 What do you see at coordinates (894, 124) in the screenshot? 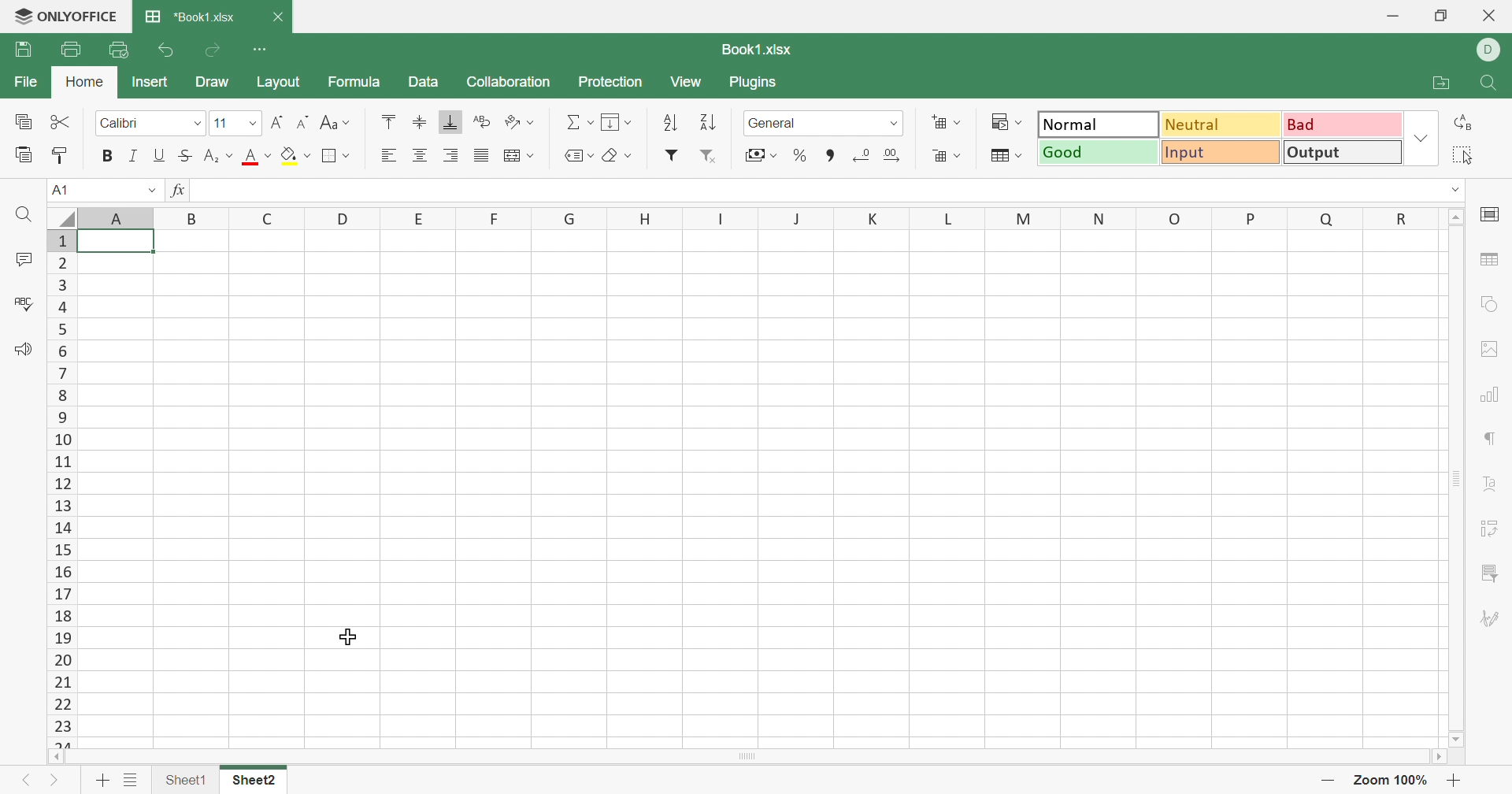
I see `Drop Down` at bounding box center [894, 124].